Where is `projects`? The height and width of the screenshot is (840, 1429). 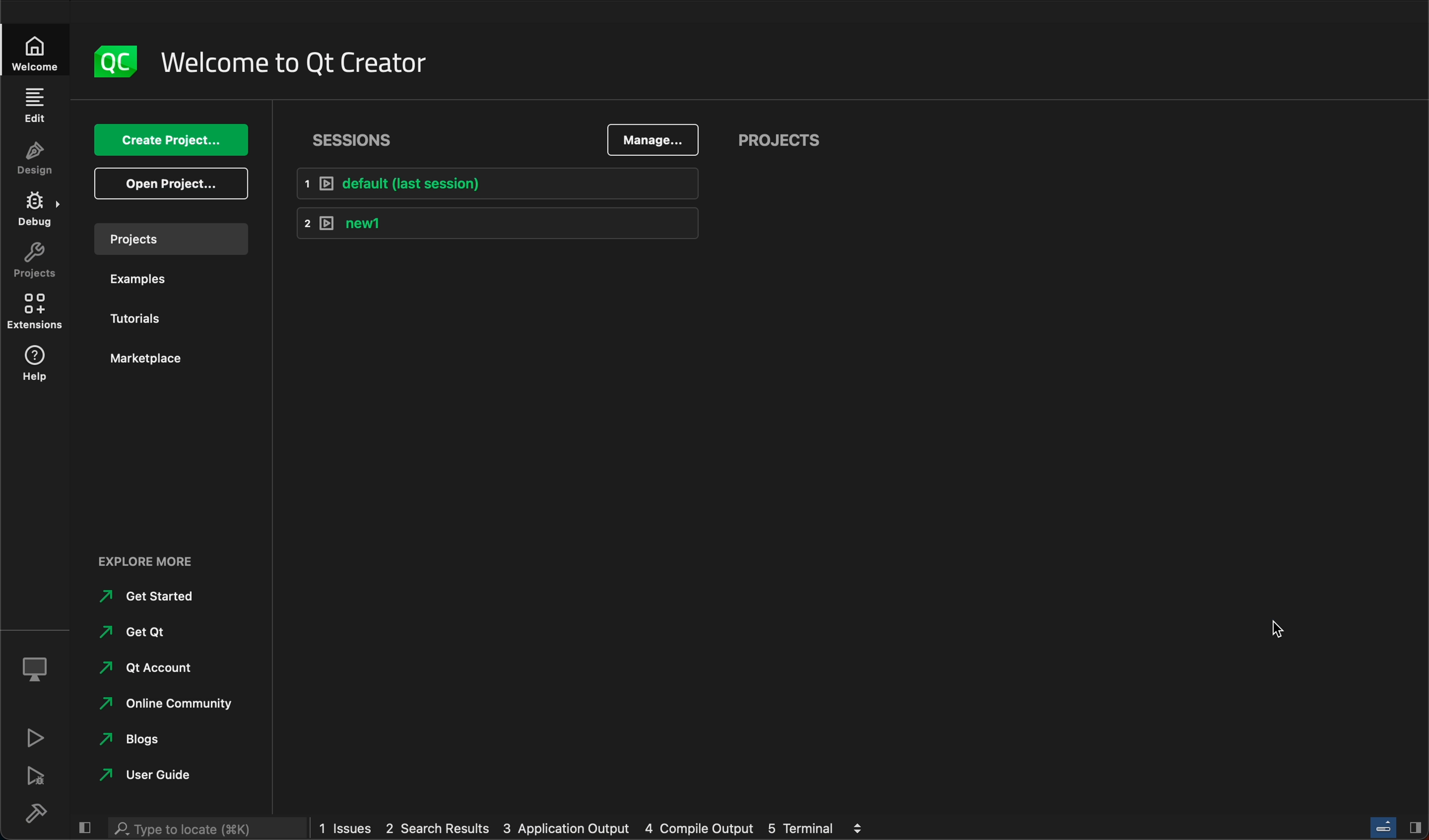
projects is located at coordinates (166, 237).